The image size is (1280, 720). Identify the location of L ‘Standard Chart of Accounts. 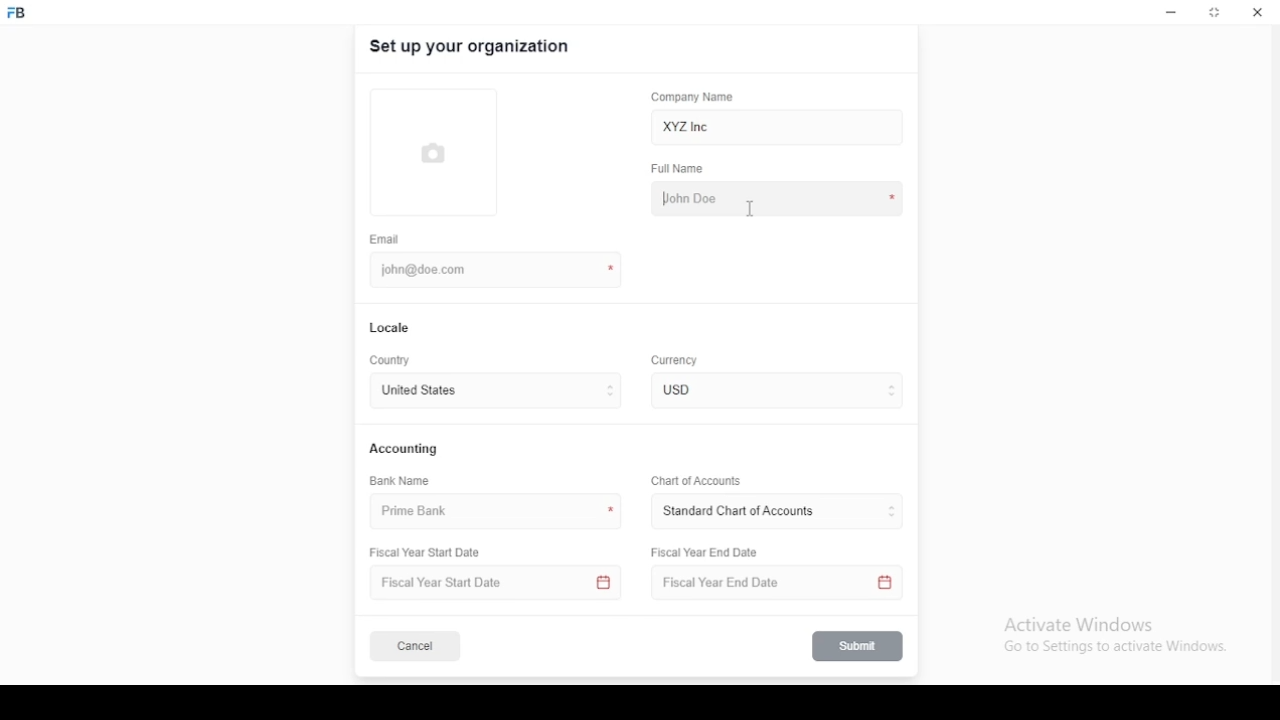
(737, 512).